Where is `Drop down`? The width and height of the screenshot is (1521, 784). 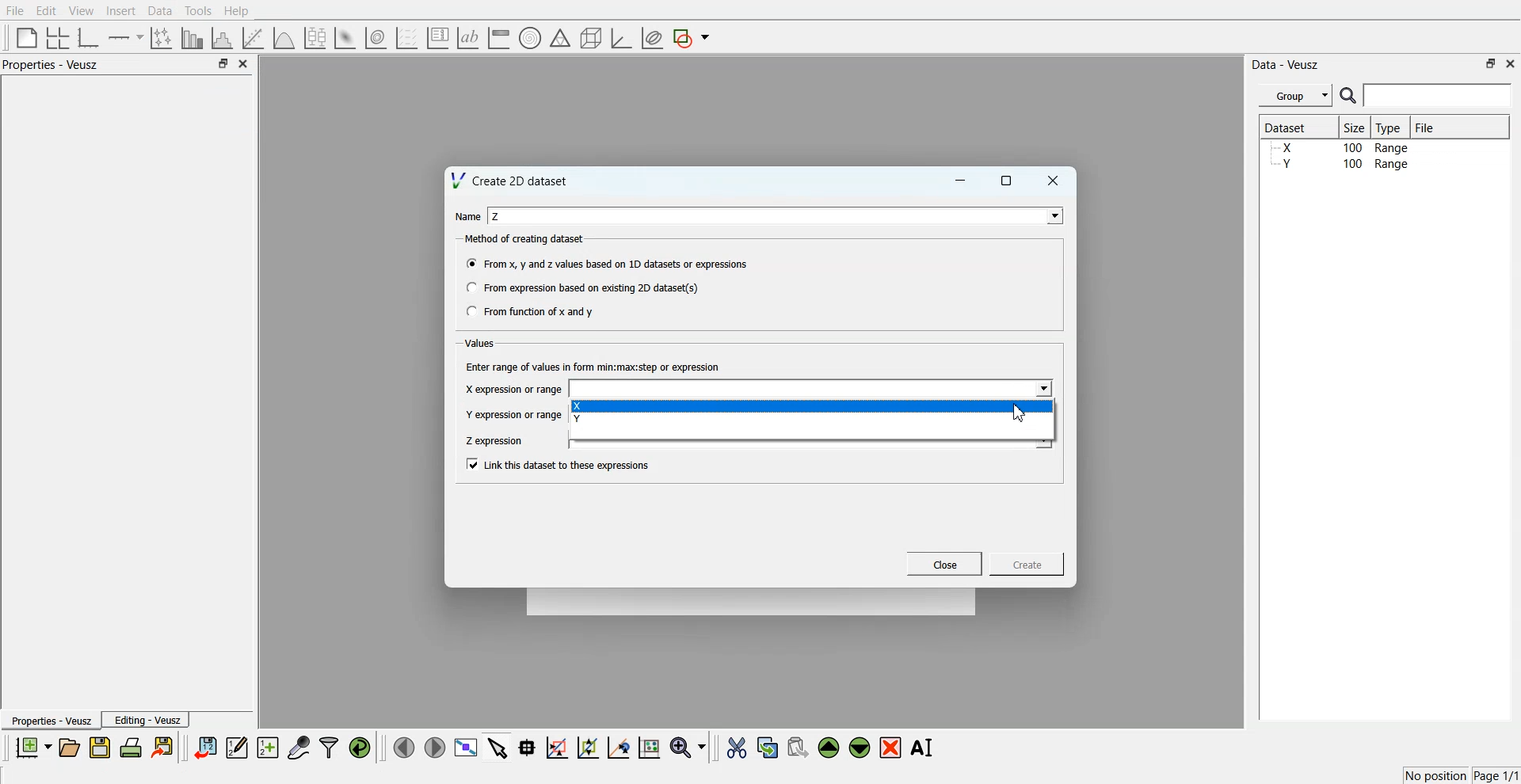
Drop down is located at coordinates (1051, 215).